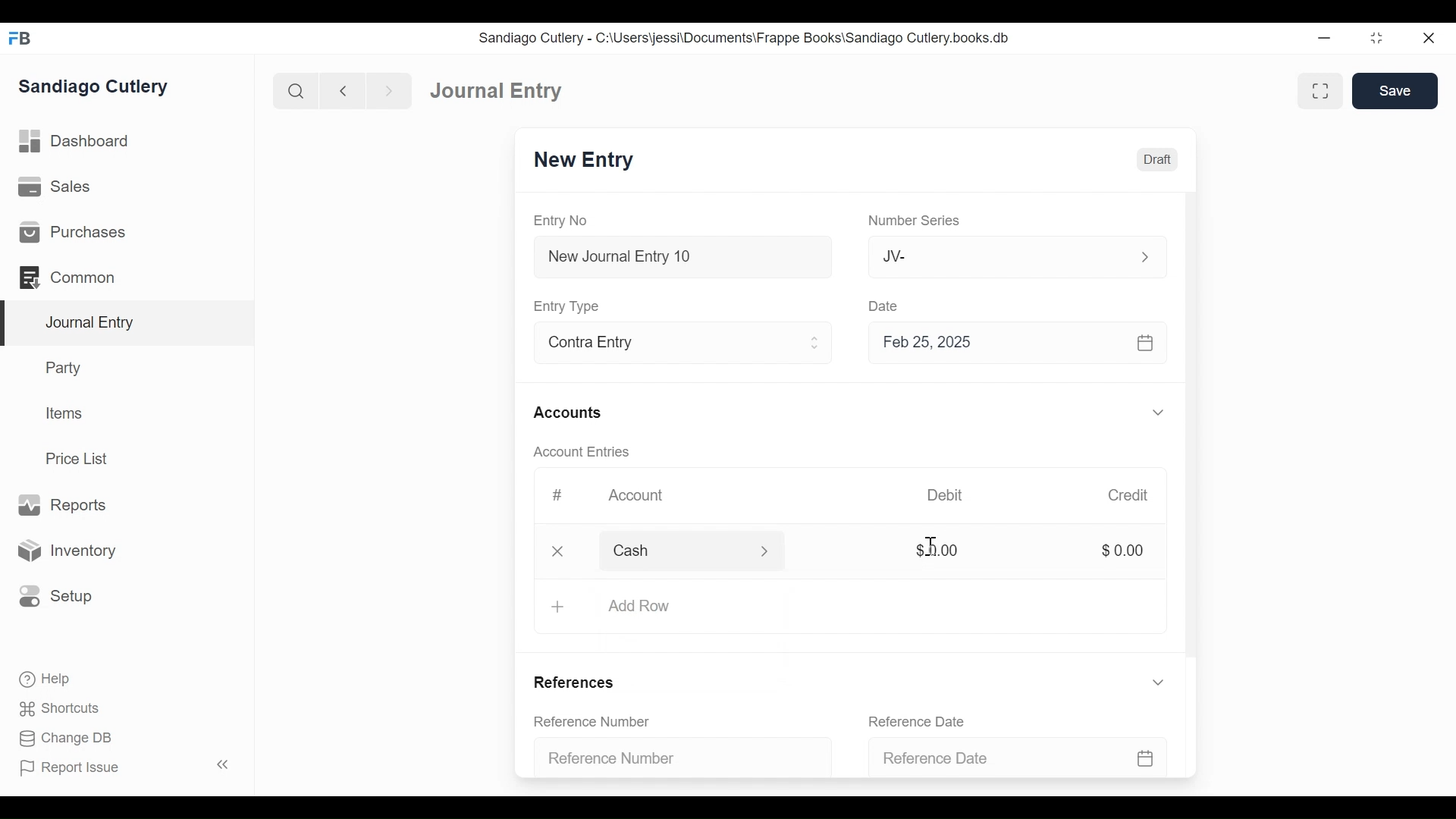 This screenshot has height=819, width=1456. Describe the element at coordinates (675, 756) in the screenshot. I see `Reference Number` at that location.